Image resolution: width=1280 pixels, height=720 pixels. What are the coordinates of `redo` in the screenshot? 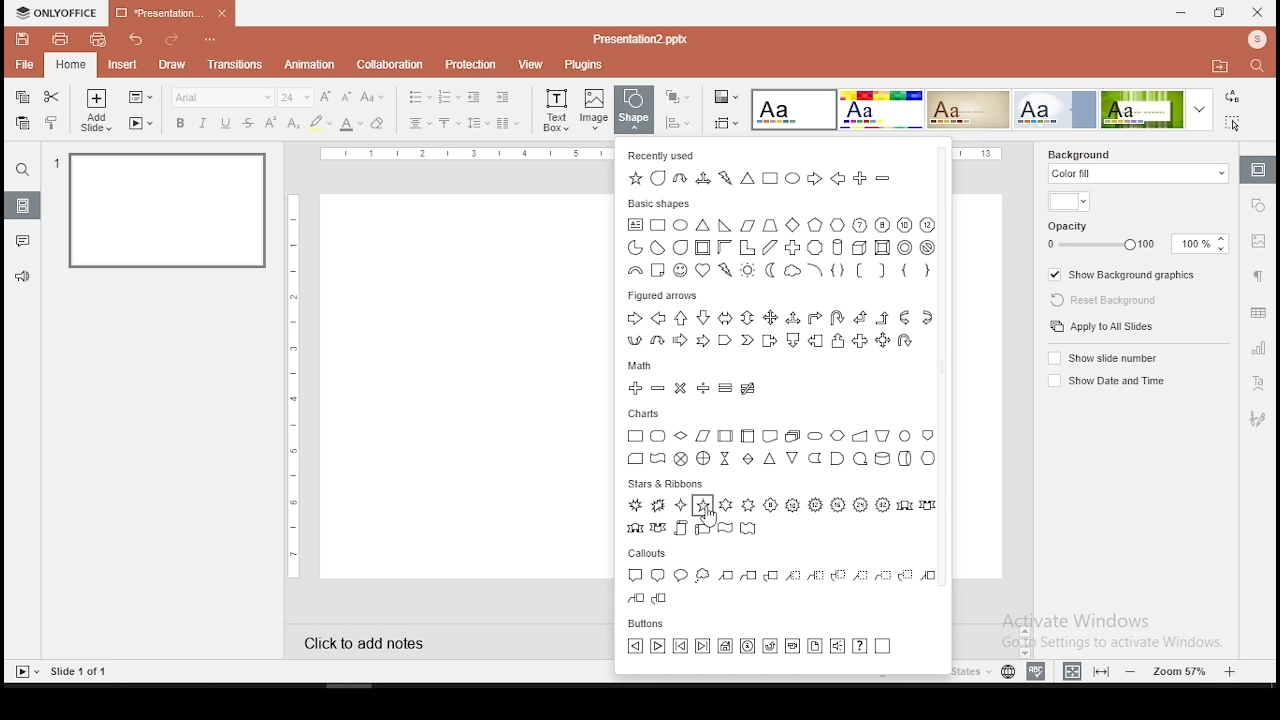 It's located at (171, 41).